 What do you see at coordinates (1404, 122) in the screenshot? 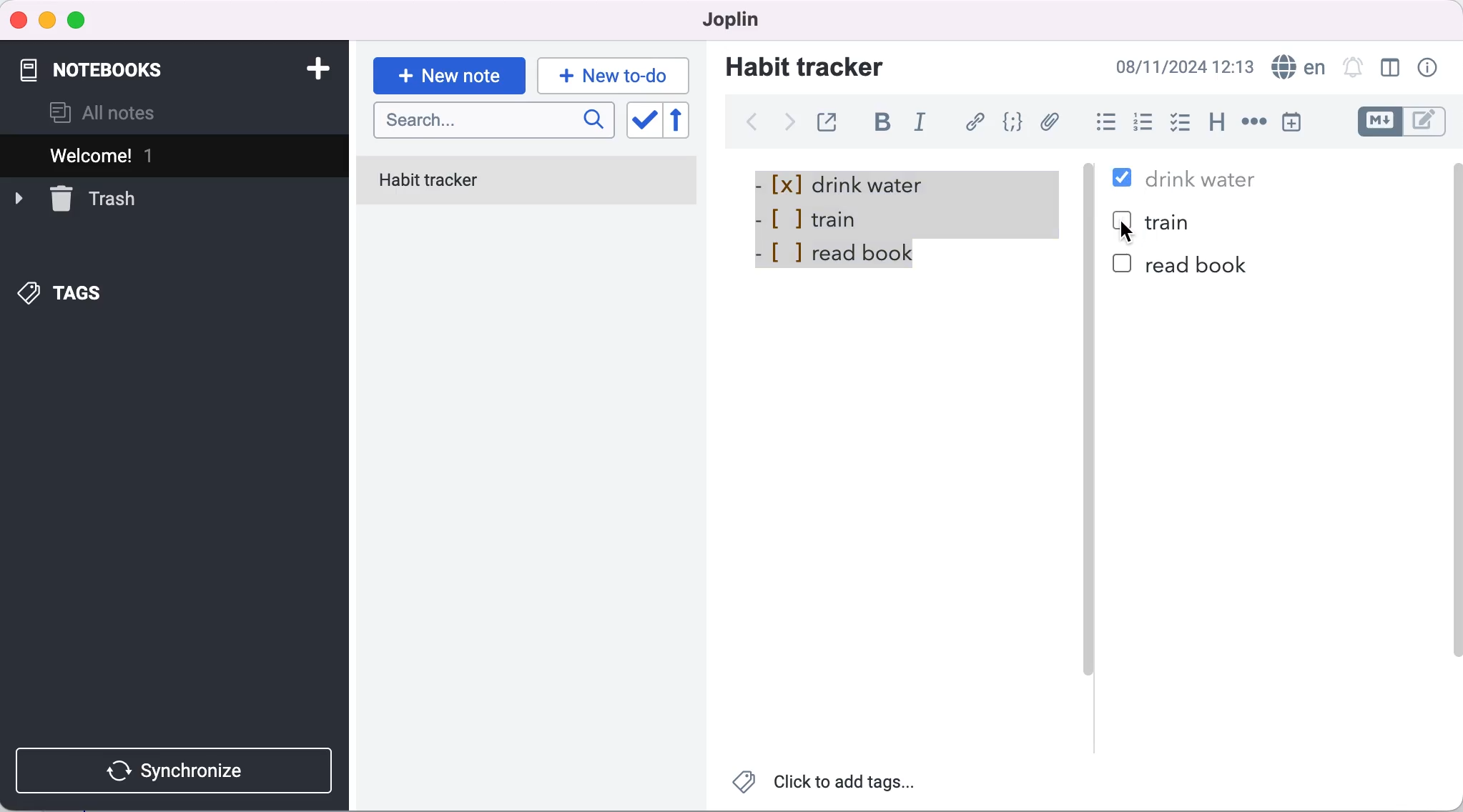
I see `toggle editors` at bounding box center [1404, 122].